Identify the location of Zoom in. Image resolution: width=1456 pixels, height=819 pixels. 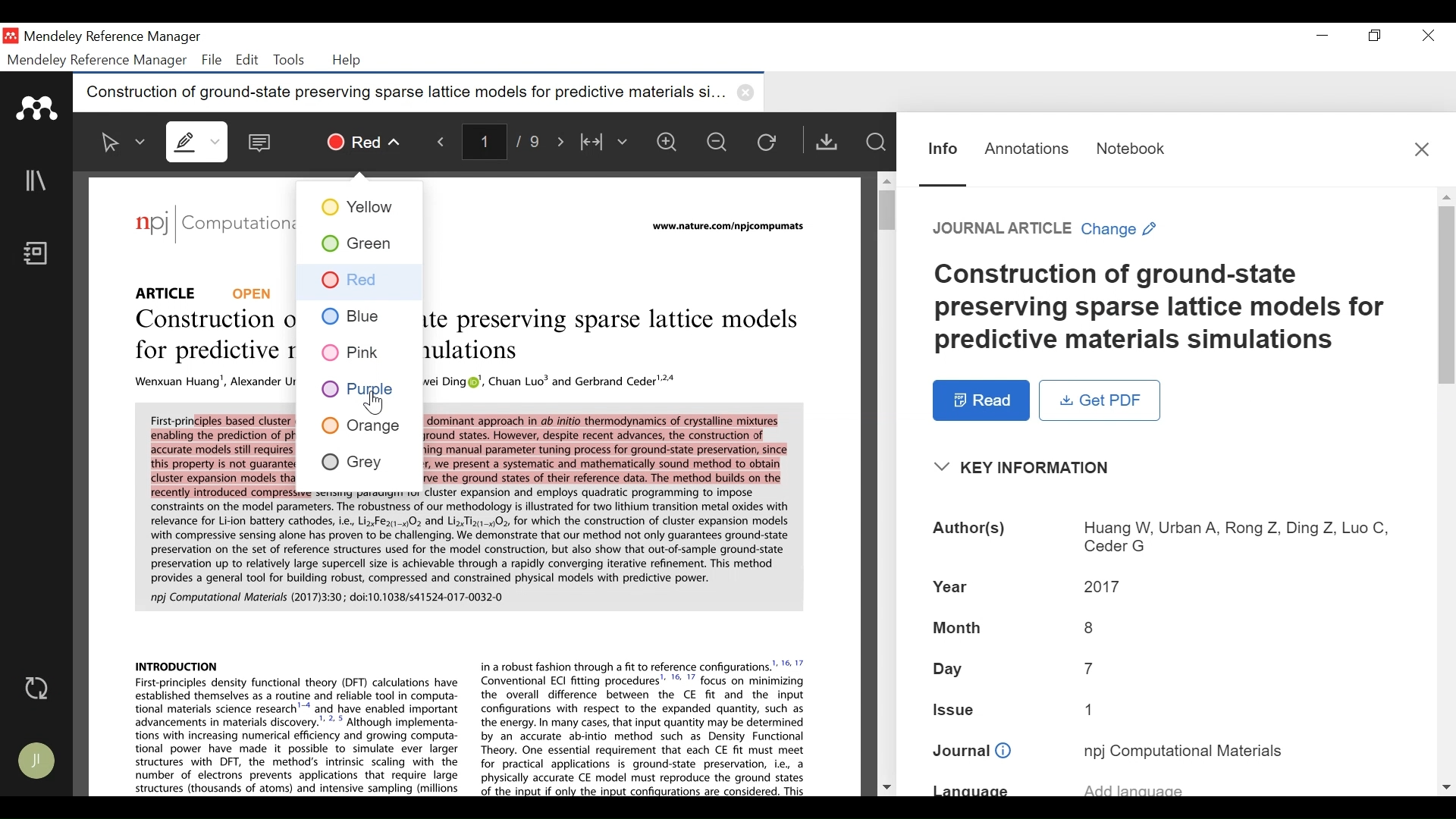
(666, 141).